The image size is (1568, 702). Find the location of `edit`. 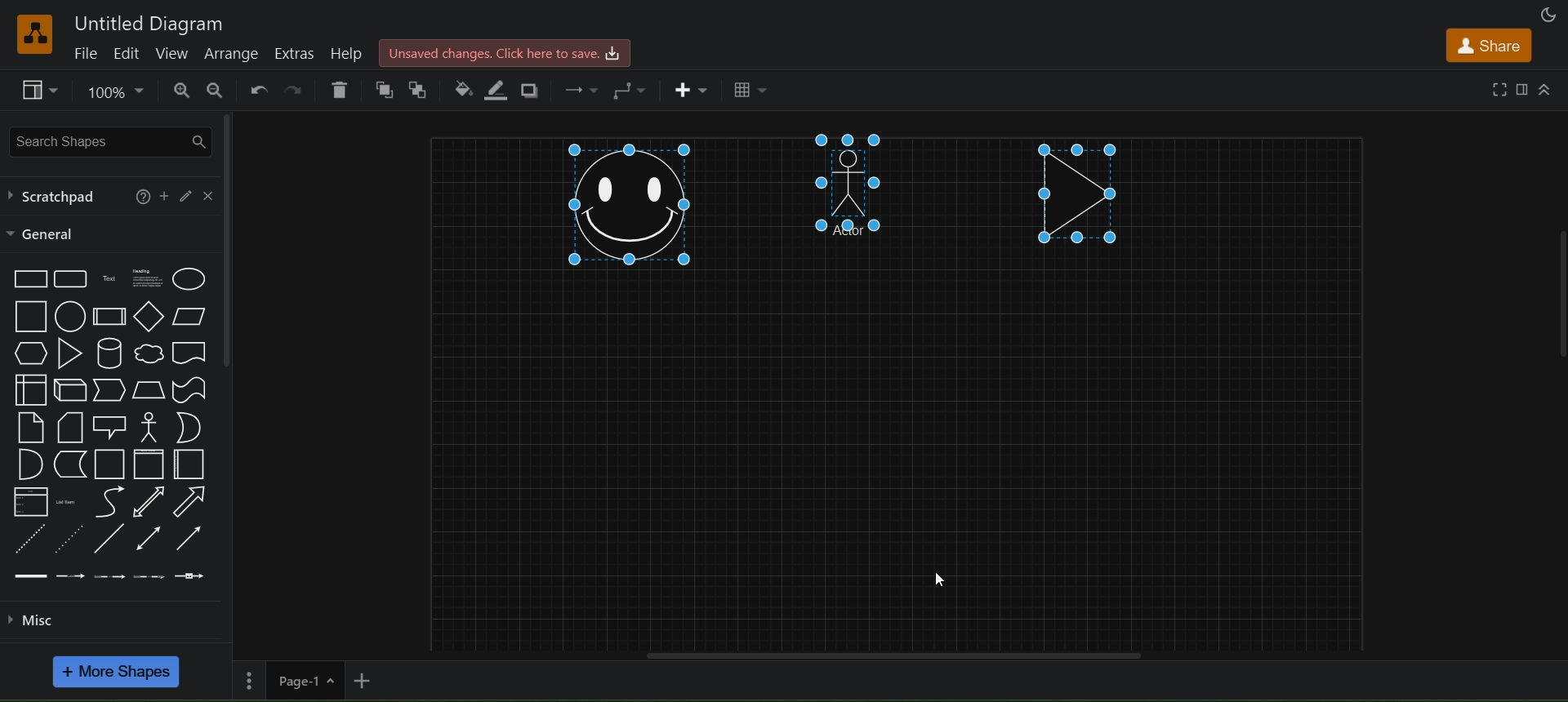

edit is located at coordinates (189, 196).